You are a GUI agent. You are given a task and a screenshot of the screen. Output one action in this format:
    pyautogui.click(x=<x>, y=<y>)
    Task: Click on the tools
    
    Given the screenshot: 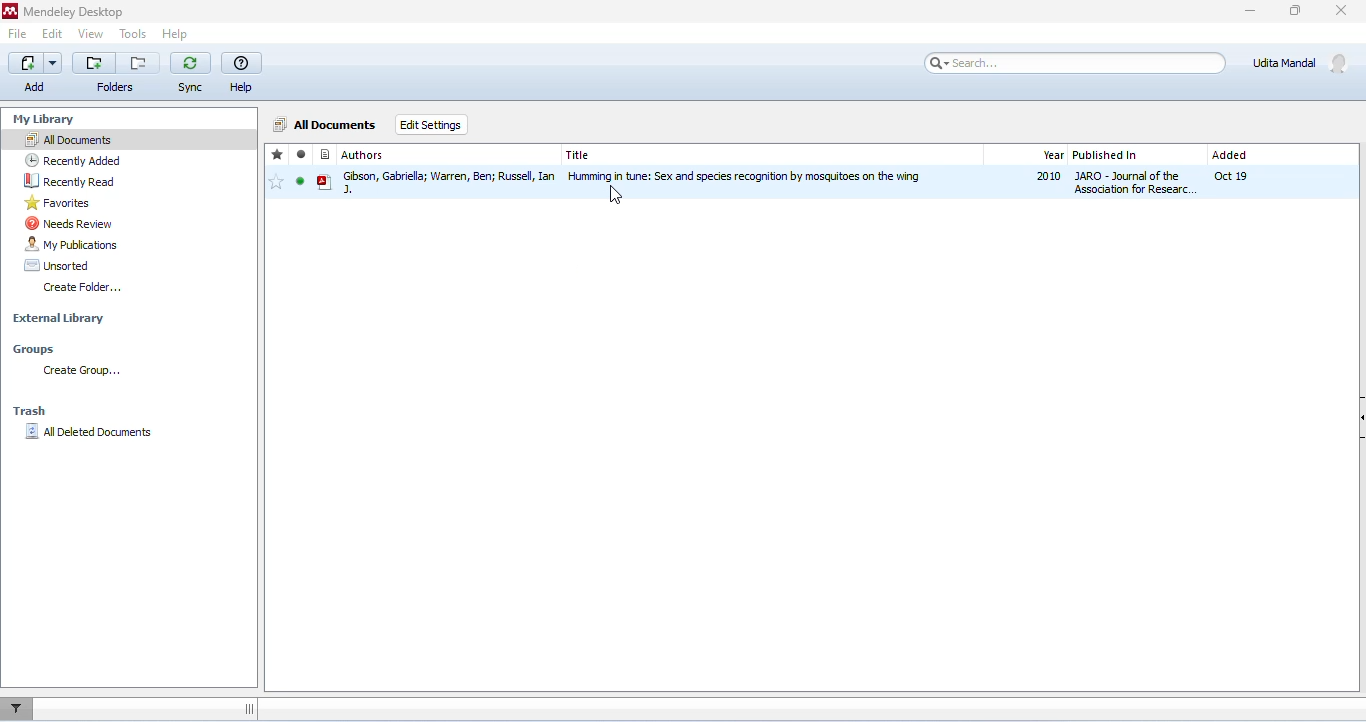 What is the action you would take?
    pyautogui.click(x=132, y=35)
    